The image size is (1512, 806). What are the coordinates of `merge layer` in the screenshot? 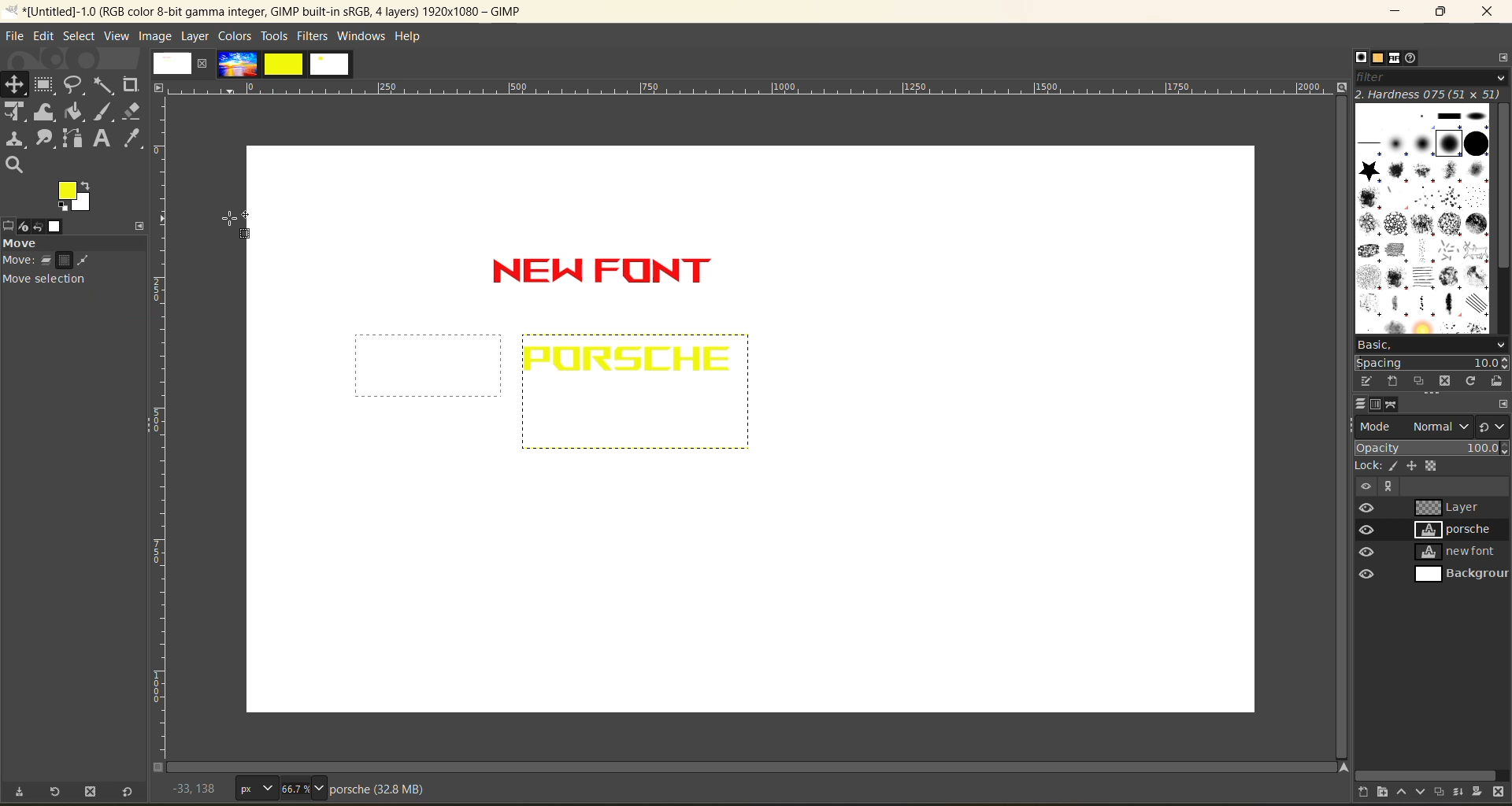 It's located at (1461, 791).